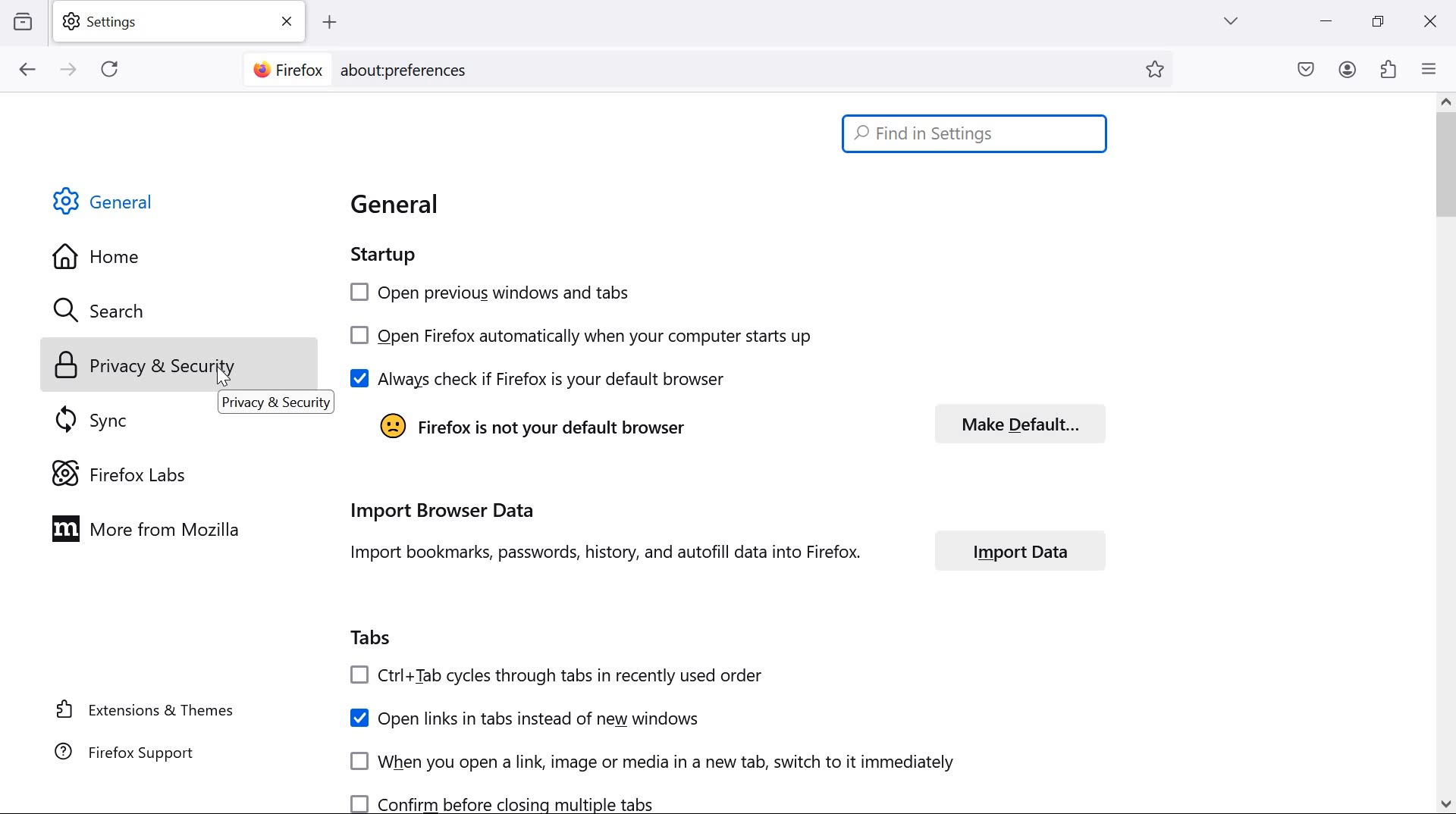  I want to click on bookmark this page, so click(1160, 70).